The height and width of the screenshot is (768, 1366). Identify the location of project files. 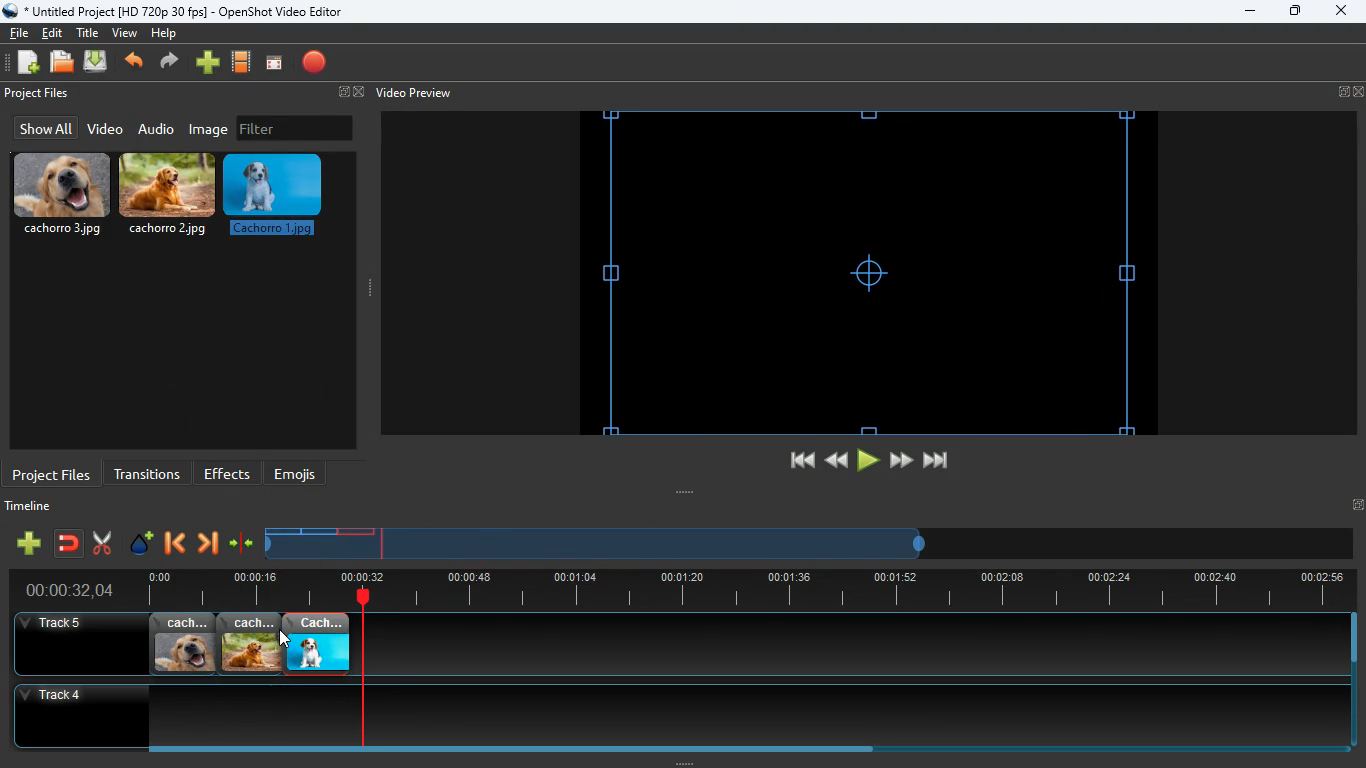
(52, 473).